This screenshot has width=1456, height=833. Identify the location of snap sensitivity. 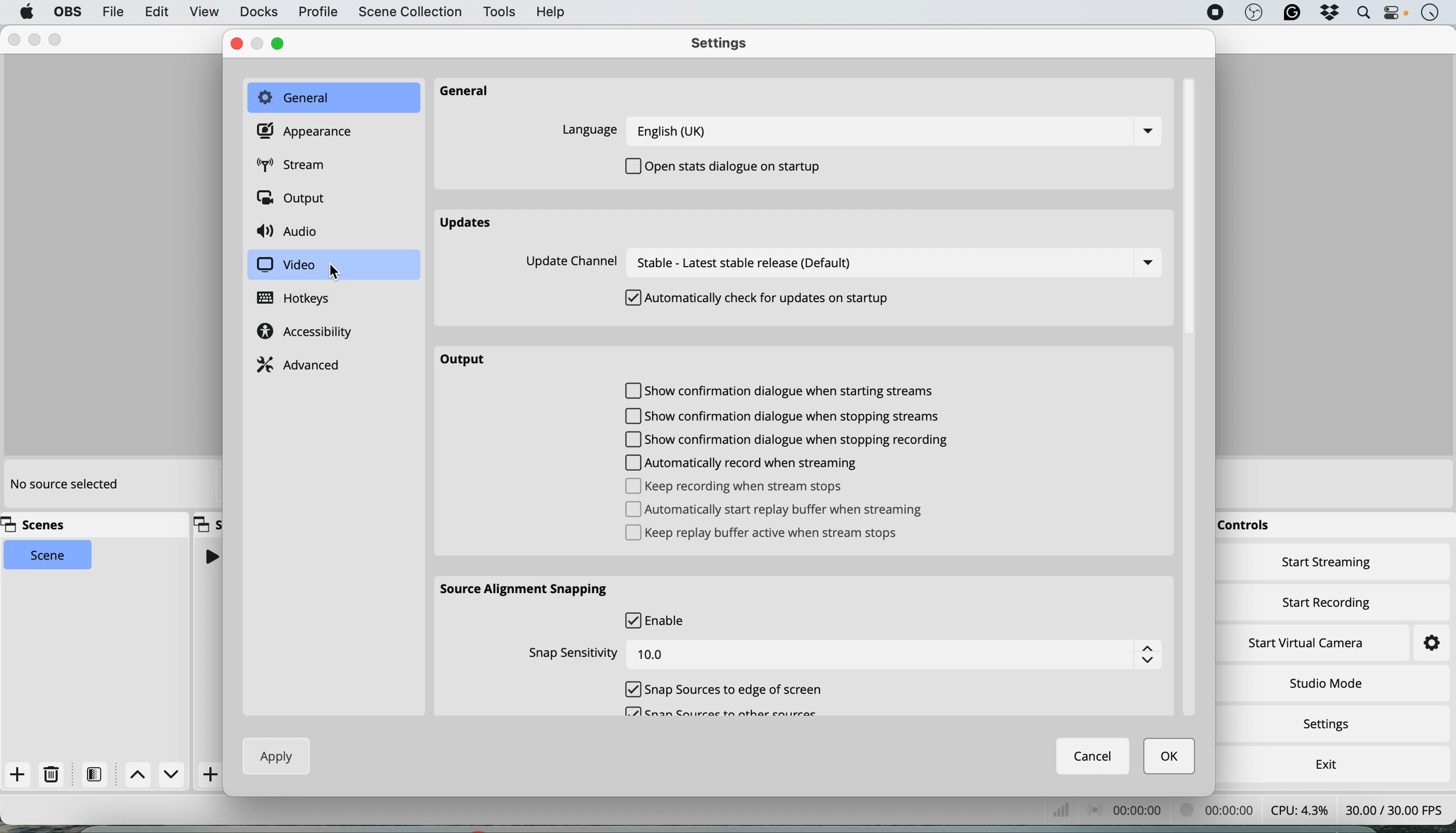
(841, 652).